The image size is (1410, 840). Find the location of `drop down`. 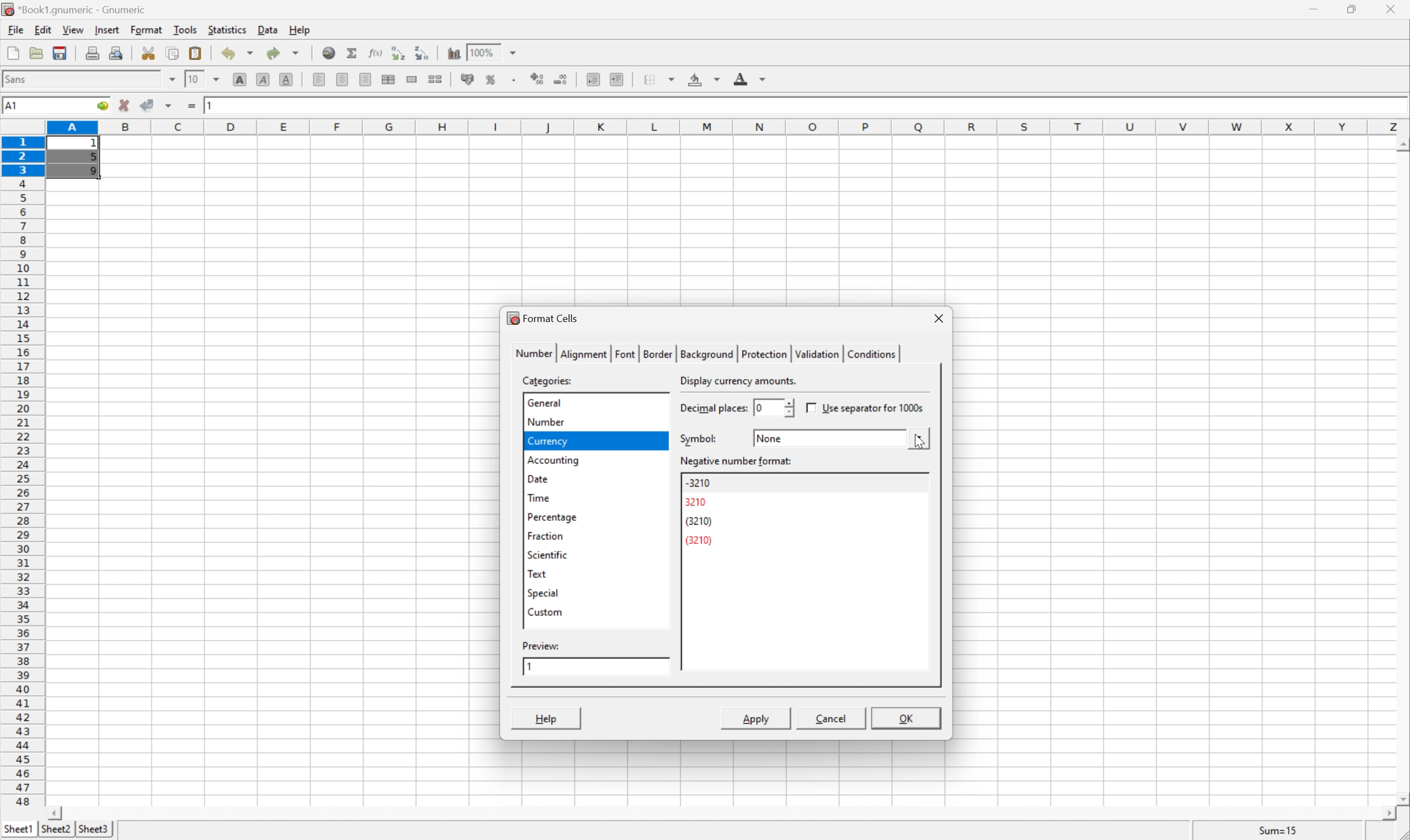

drop down is located at coordinates (516, 52).